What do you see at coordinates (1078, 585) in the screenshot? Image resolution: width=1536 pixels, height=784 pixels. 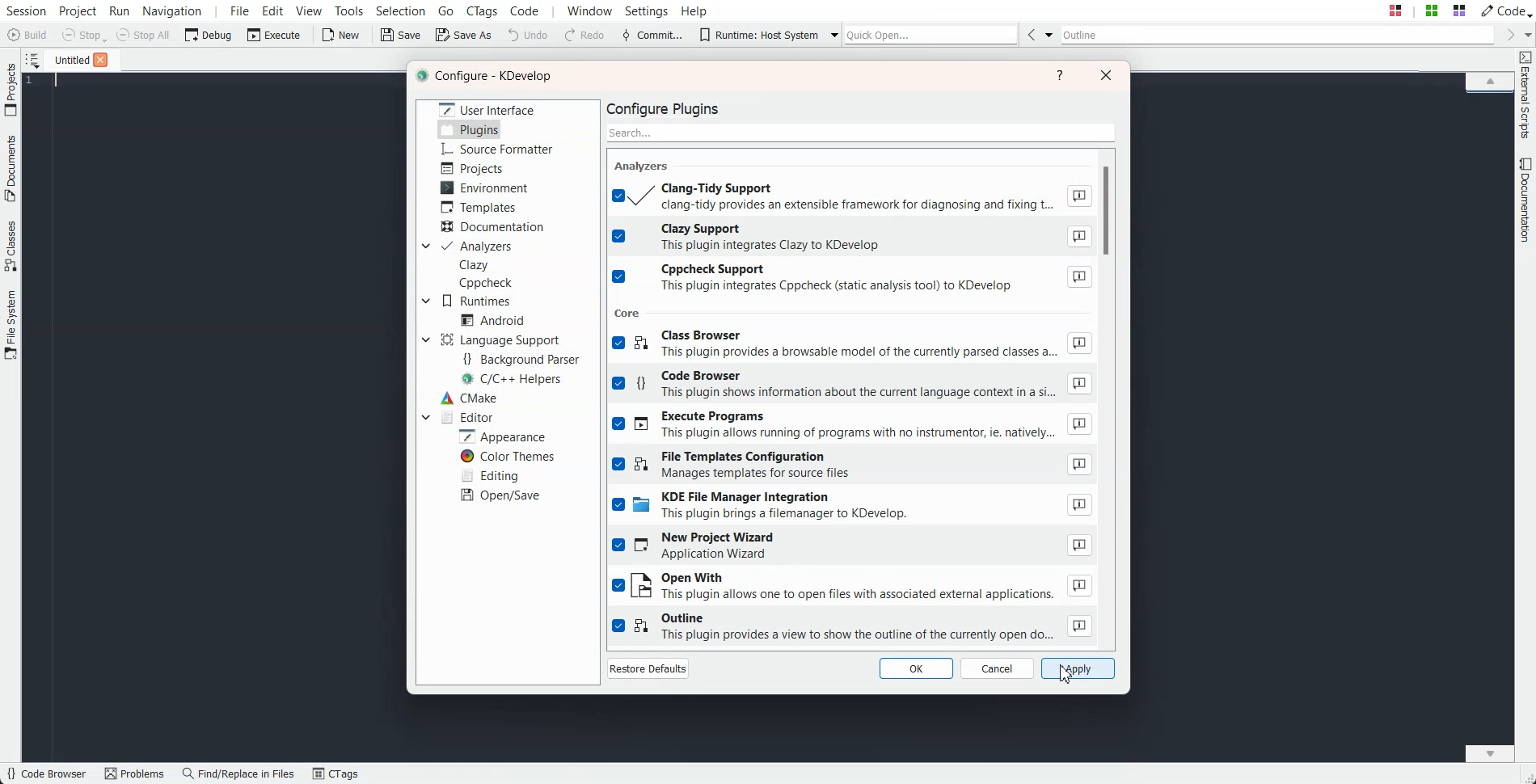 I see `About` at bounding box center [1078, 585].